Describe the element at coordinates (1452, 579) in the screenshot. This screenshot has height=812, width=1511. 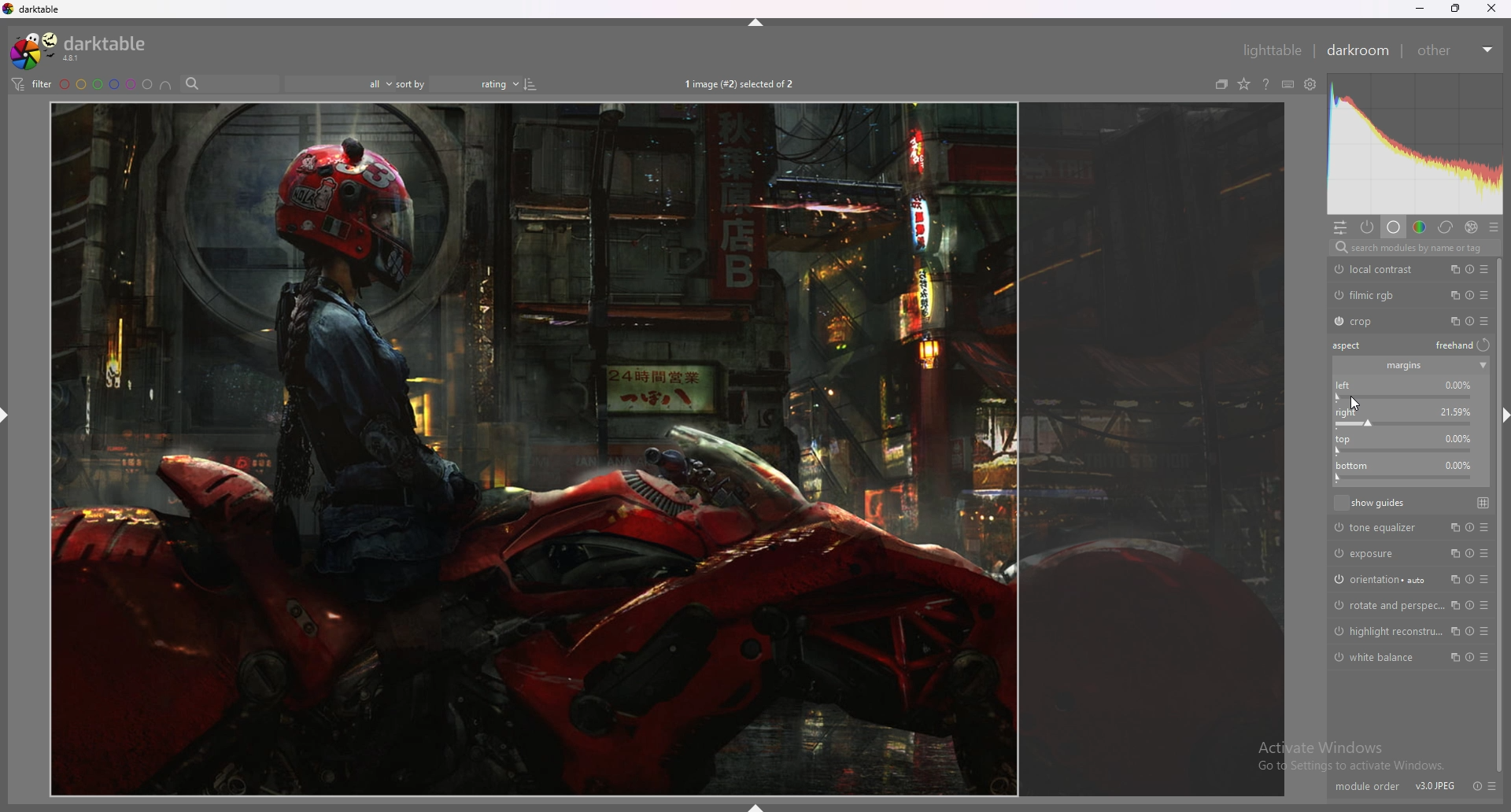
I see `multiple instances action` at that location.